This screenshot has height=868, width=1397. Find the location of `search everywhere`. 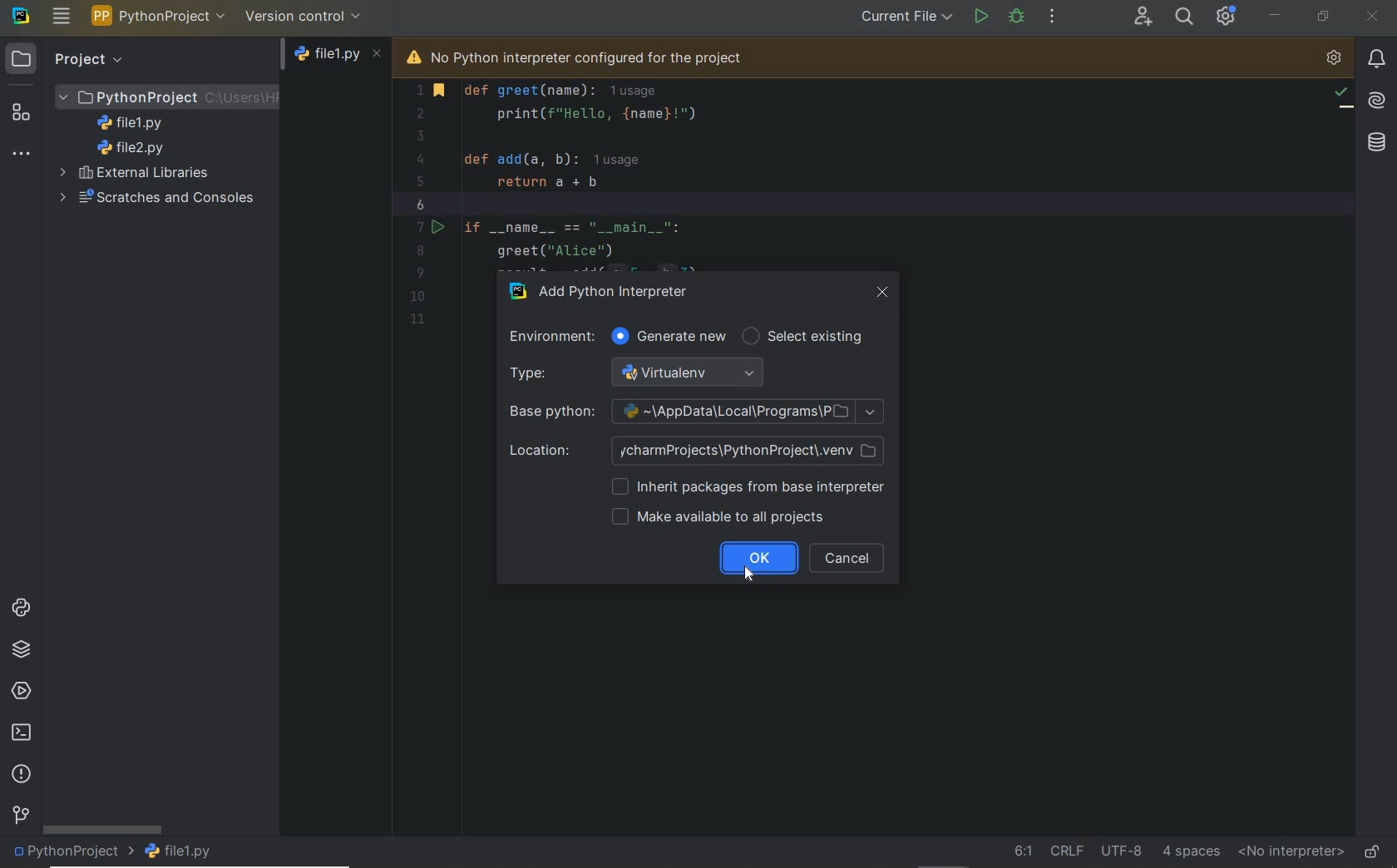

search everywhere is located at coordinates (1185, 16).